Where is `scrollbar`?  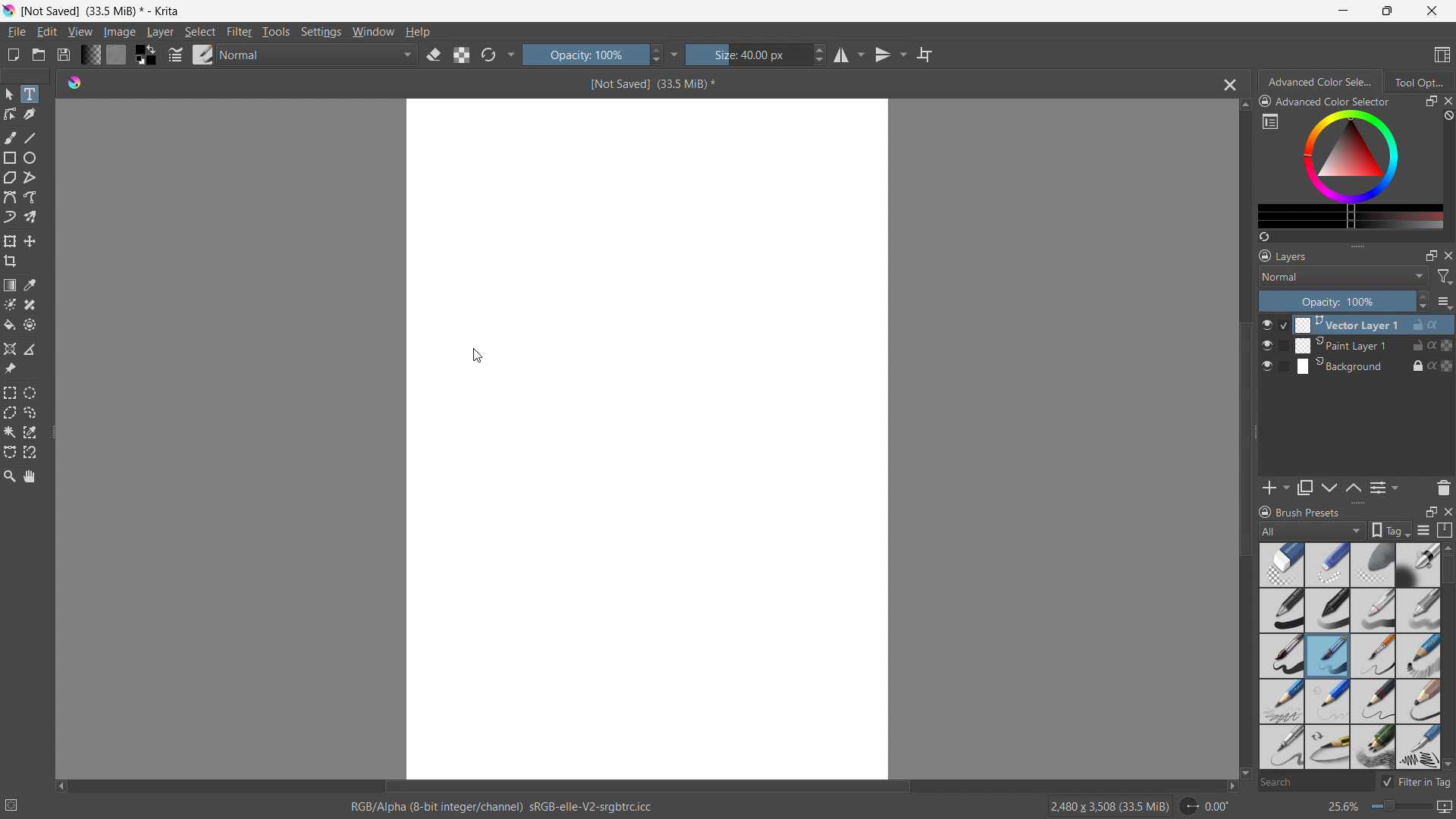
scrollbar is located at coordinates (1447, 635).